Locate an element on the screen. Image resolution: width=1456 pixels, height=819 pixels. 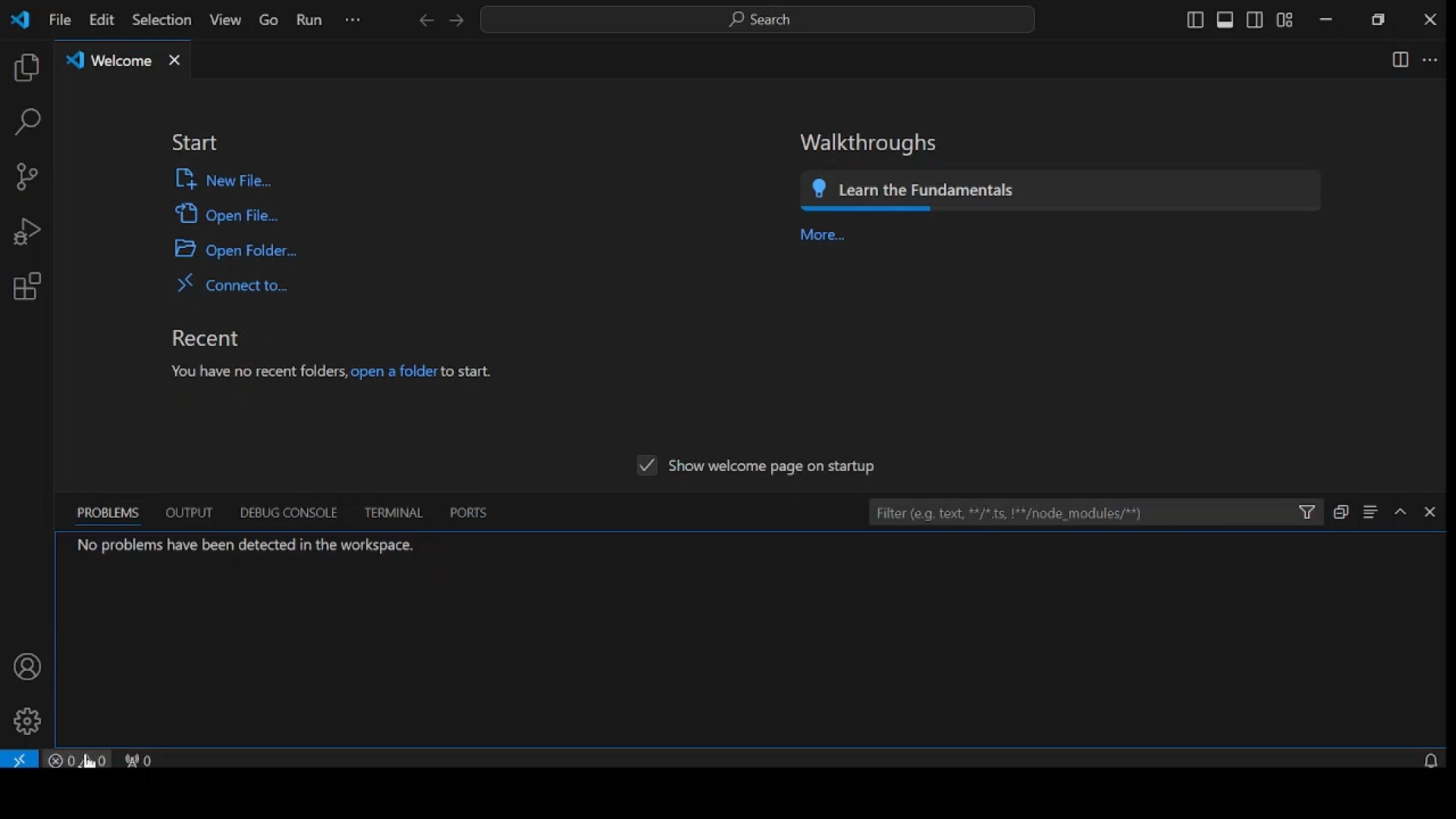
new file is located at coordinates (227, 177).